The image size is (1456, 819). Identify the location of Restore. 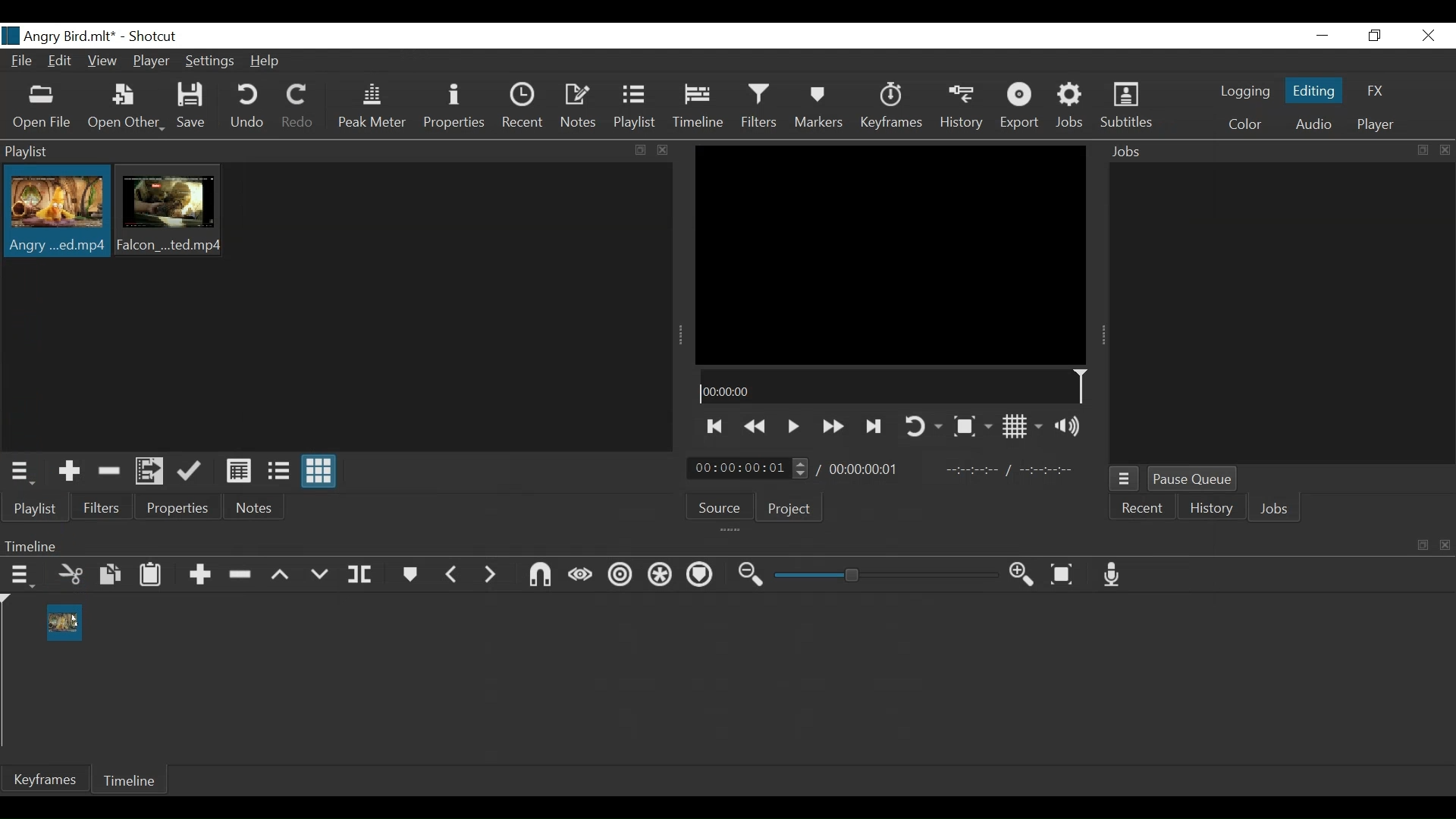
(1373, 35).